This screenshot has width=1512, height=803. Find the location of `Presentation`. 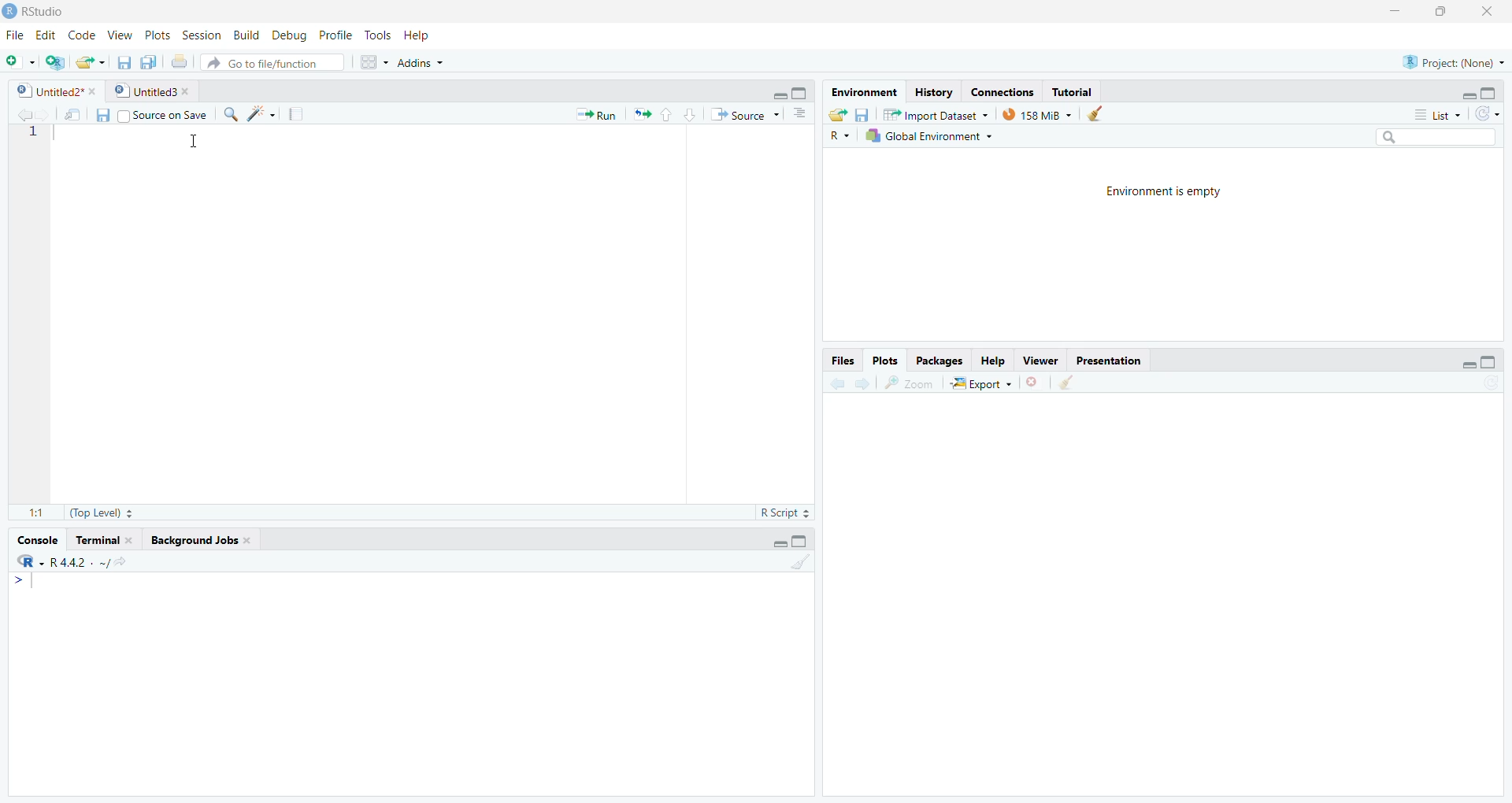

Presentation is located at coordinates (1116, 360).